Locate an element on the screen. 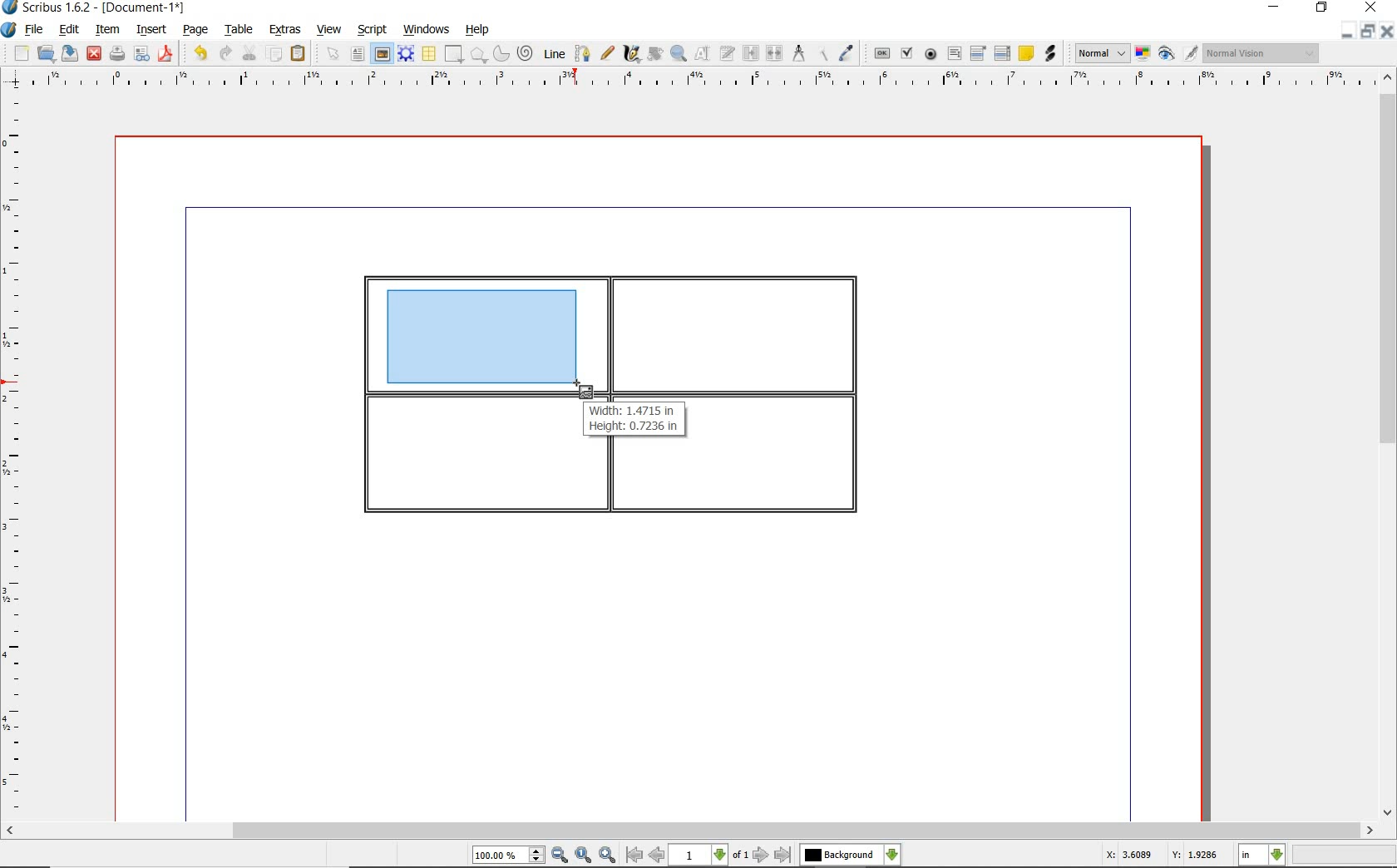  file is located at coordinates (35, 31).